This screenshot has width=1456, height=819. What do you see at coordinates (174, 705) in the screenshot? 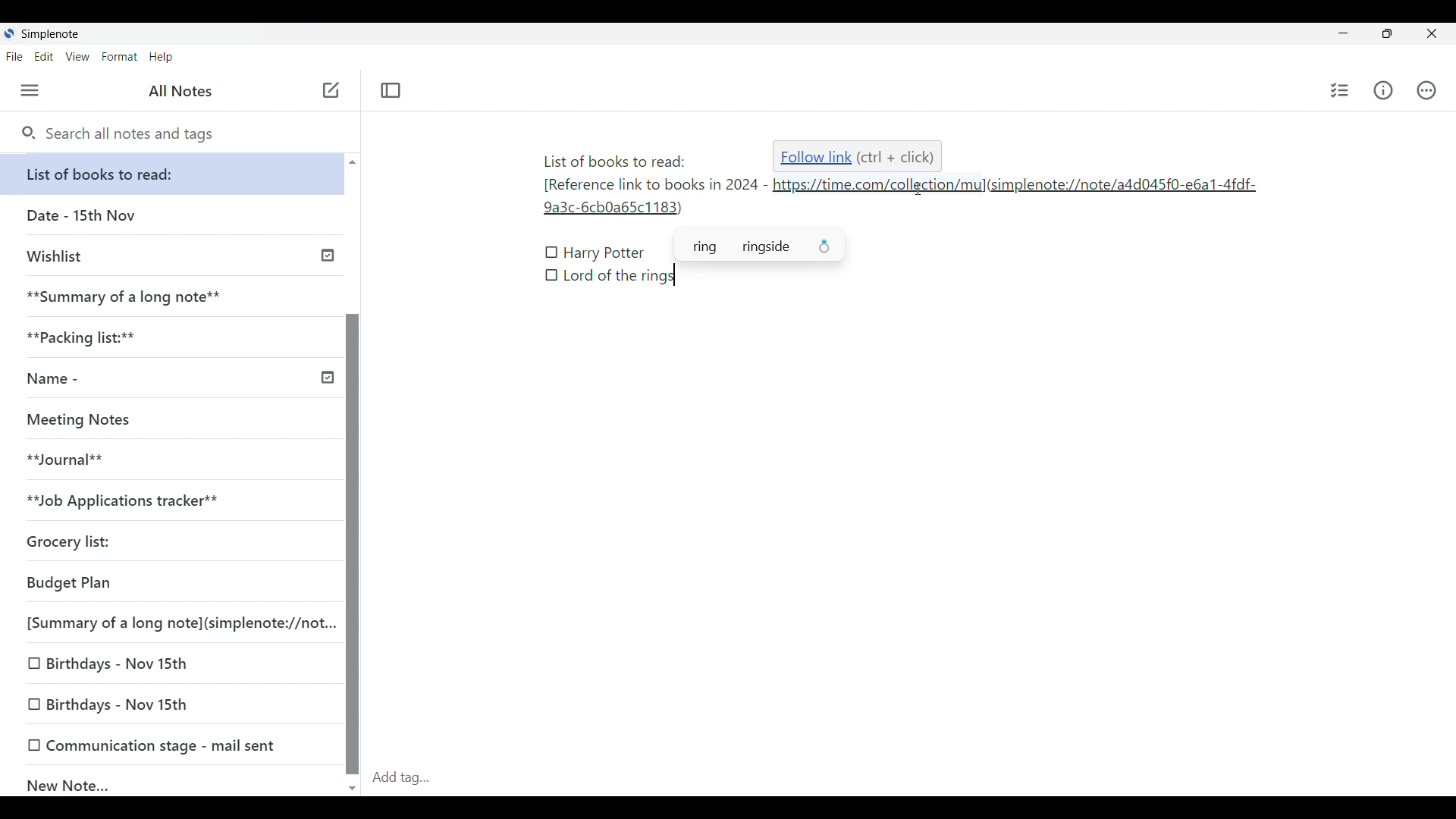
I see `Birthdays - Nov 15th` at bounding box center [174, 705].